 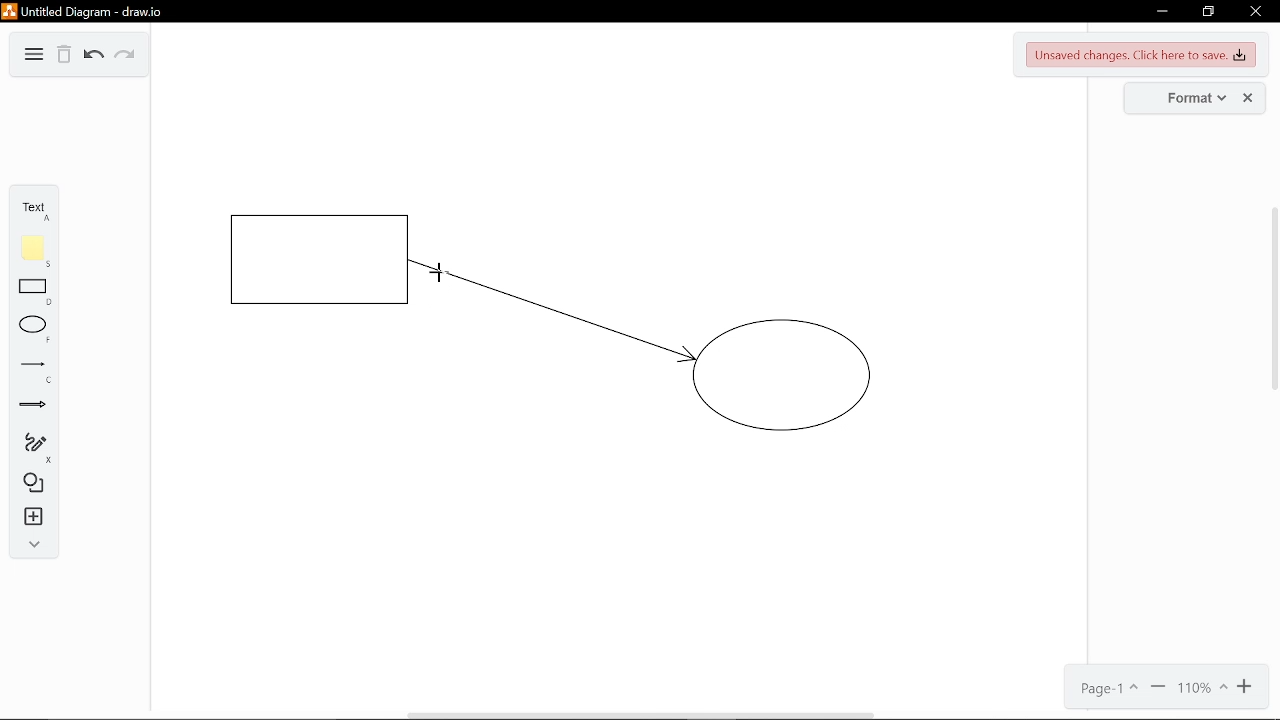 What do you see at coordinates (30, 330) in the screenshot?
I see `Ellipse` at bounding box center [30, 330].